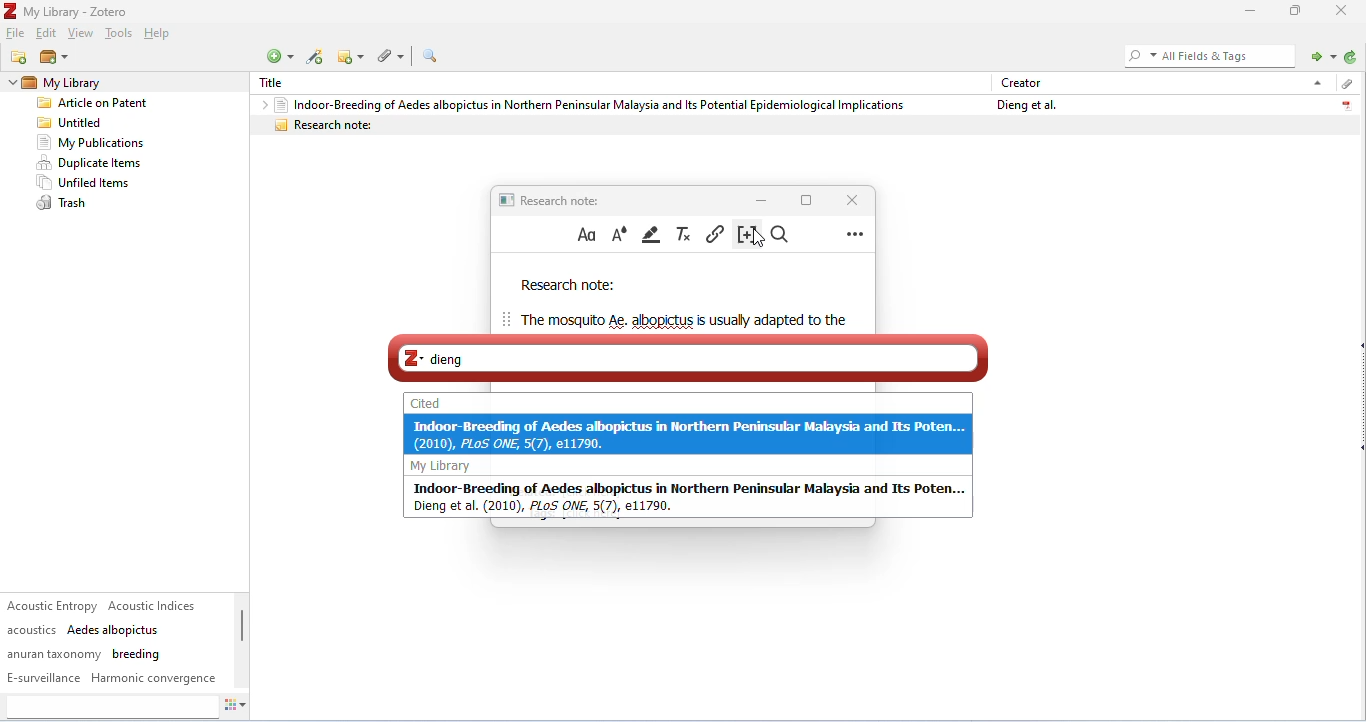 This screenshot has width=1366, height=722. What do you see at coordinates (587, 235) in the screenshot?
I see `format text` at bounding box center [587, 235].